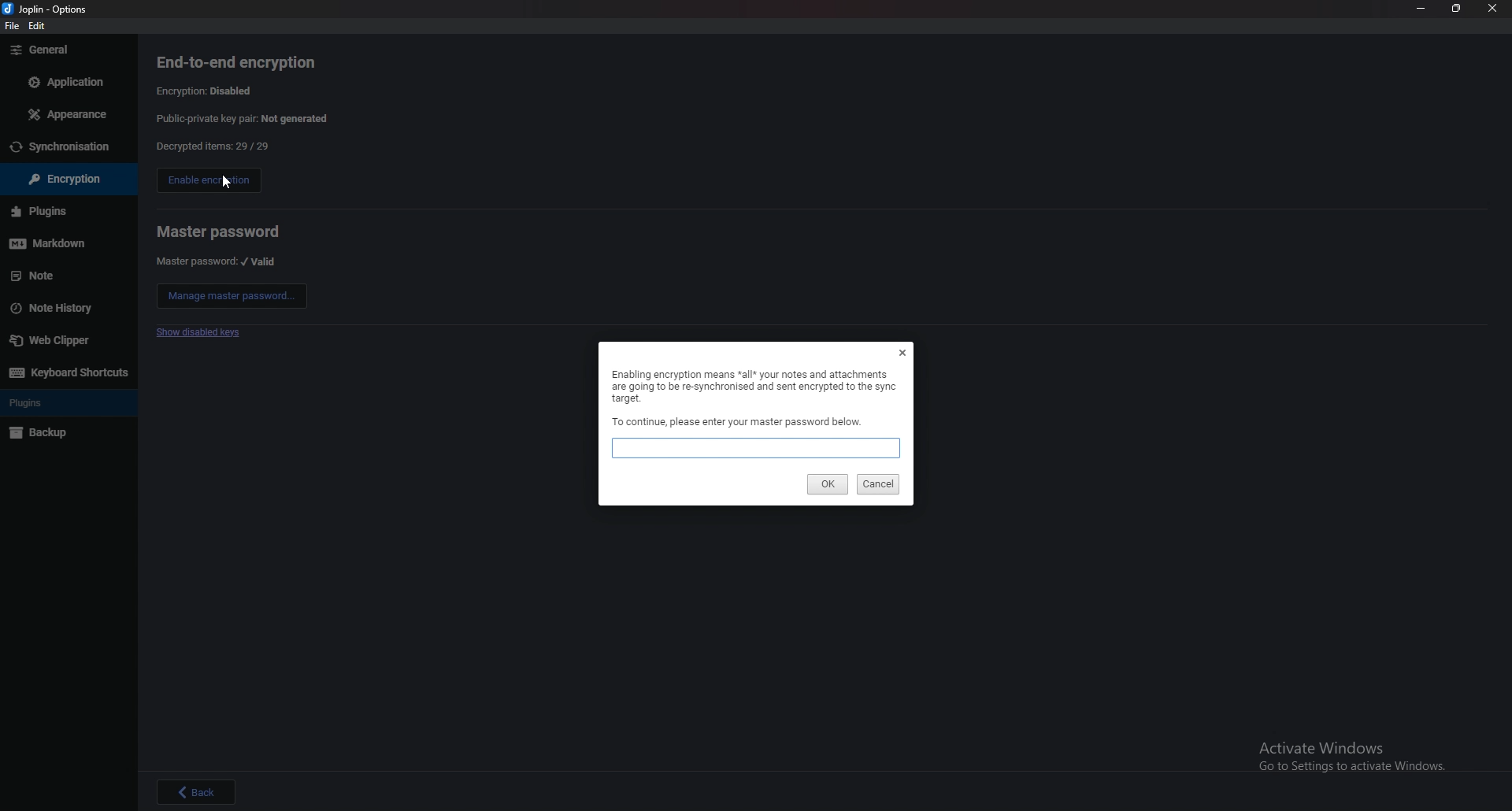  I want to click on , so click(50, 9).